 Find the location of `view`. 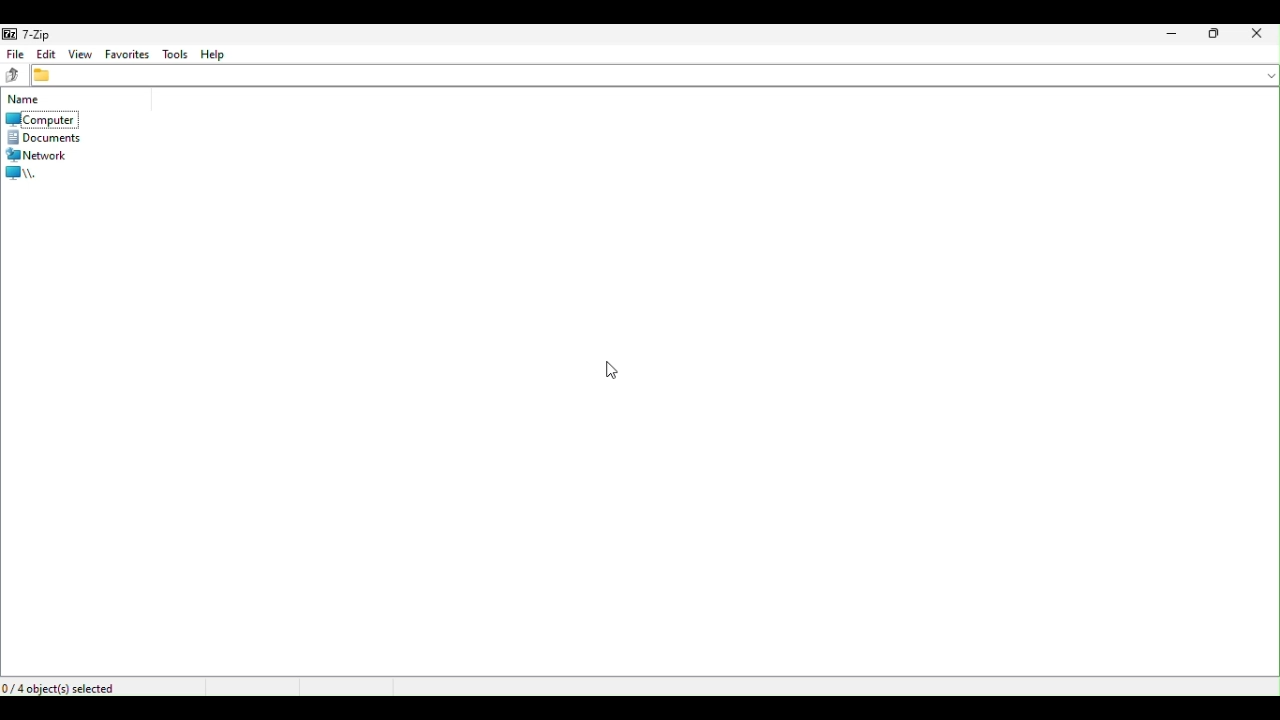

view is located at coordinates (80, 55).